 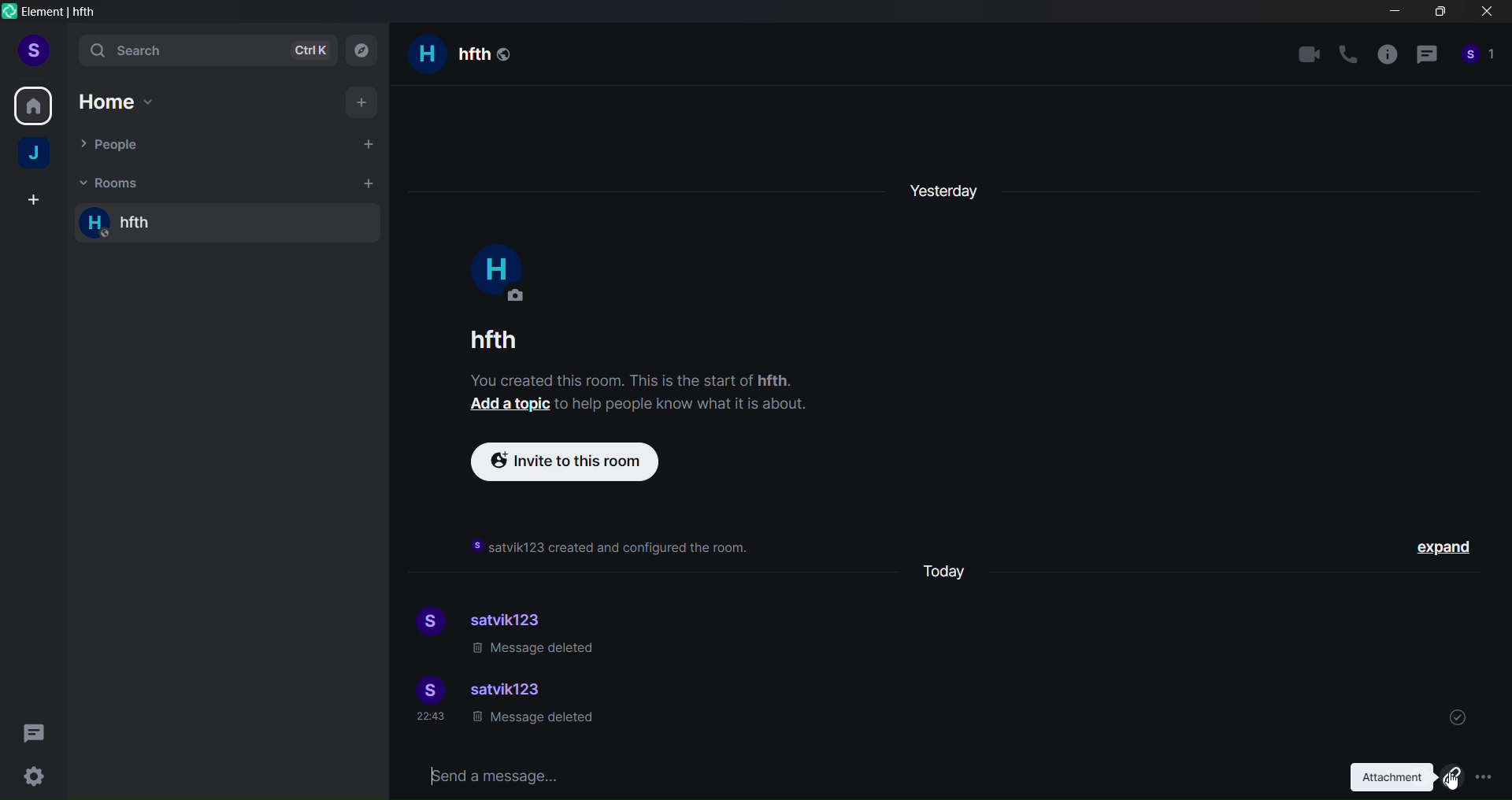 I want to click on room name, so click(x=142, y=224).